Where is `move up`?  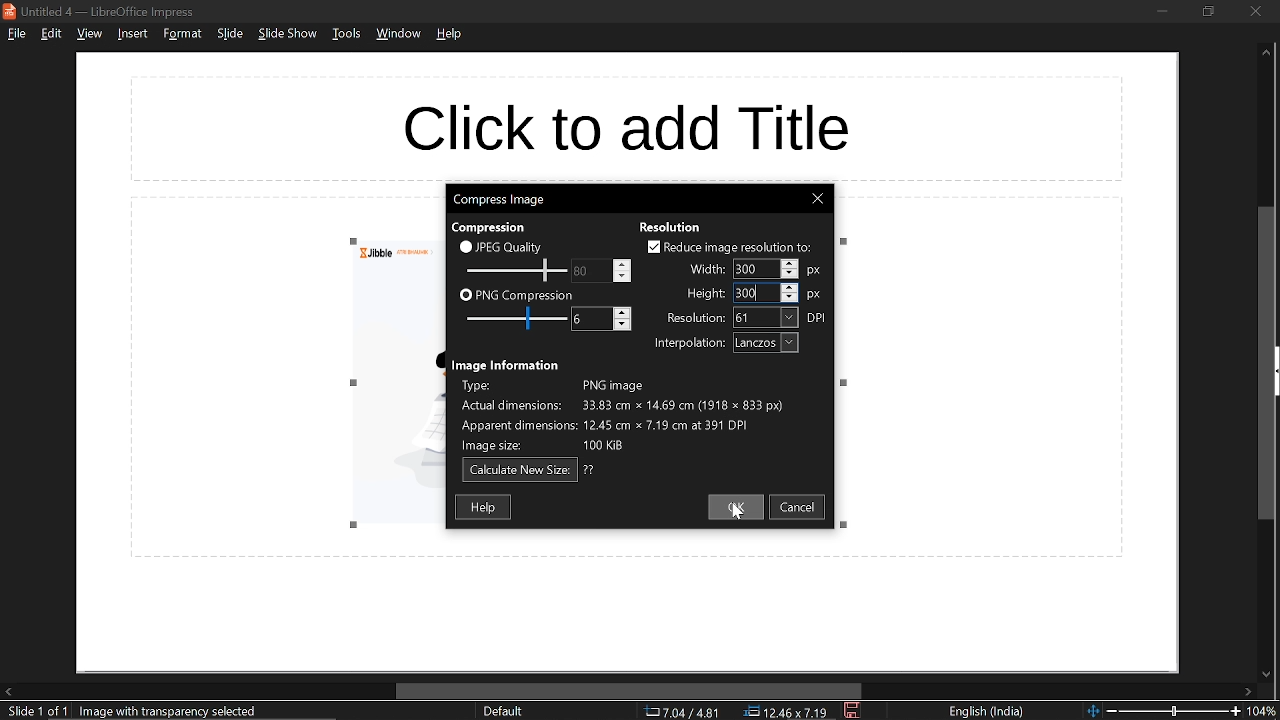 move up is located at coordinates (1266, 56).